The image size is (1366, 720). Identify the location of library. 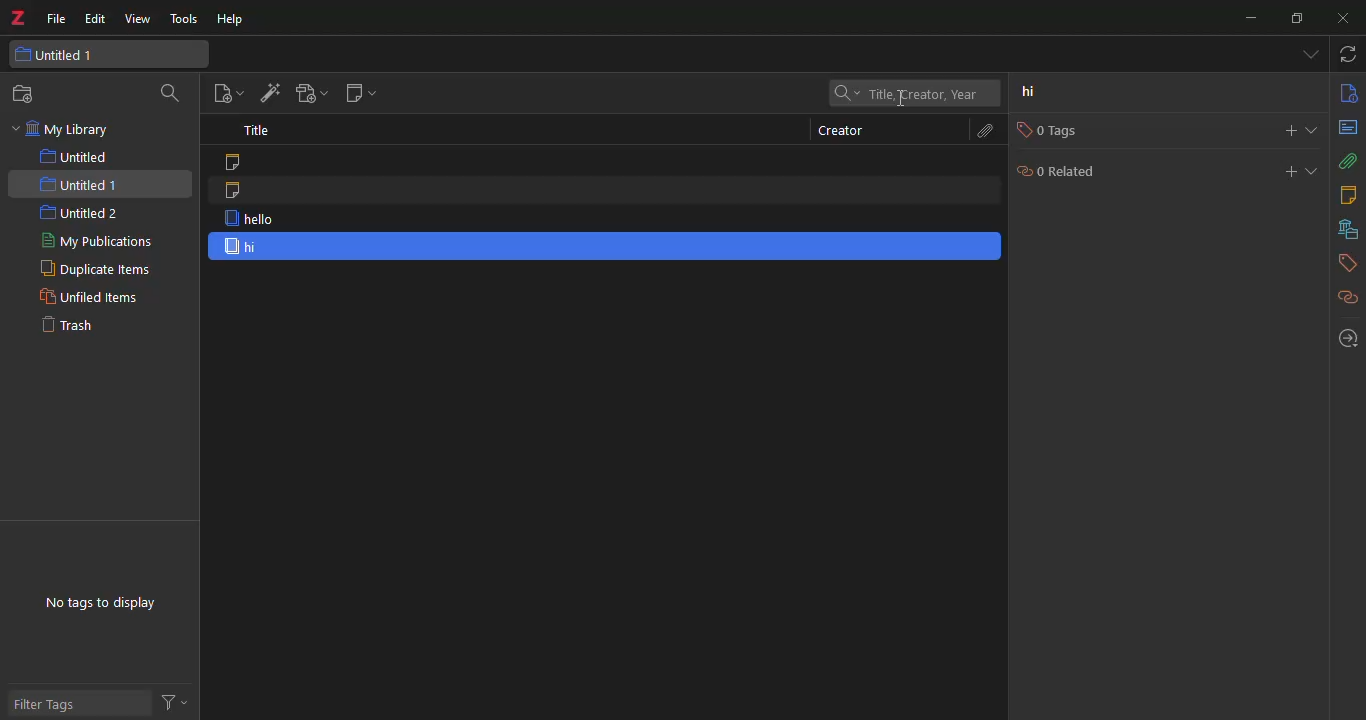
(1342, 231).